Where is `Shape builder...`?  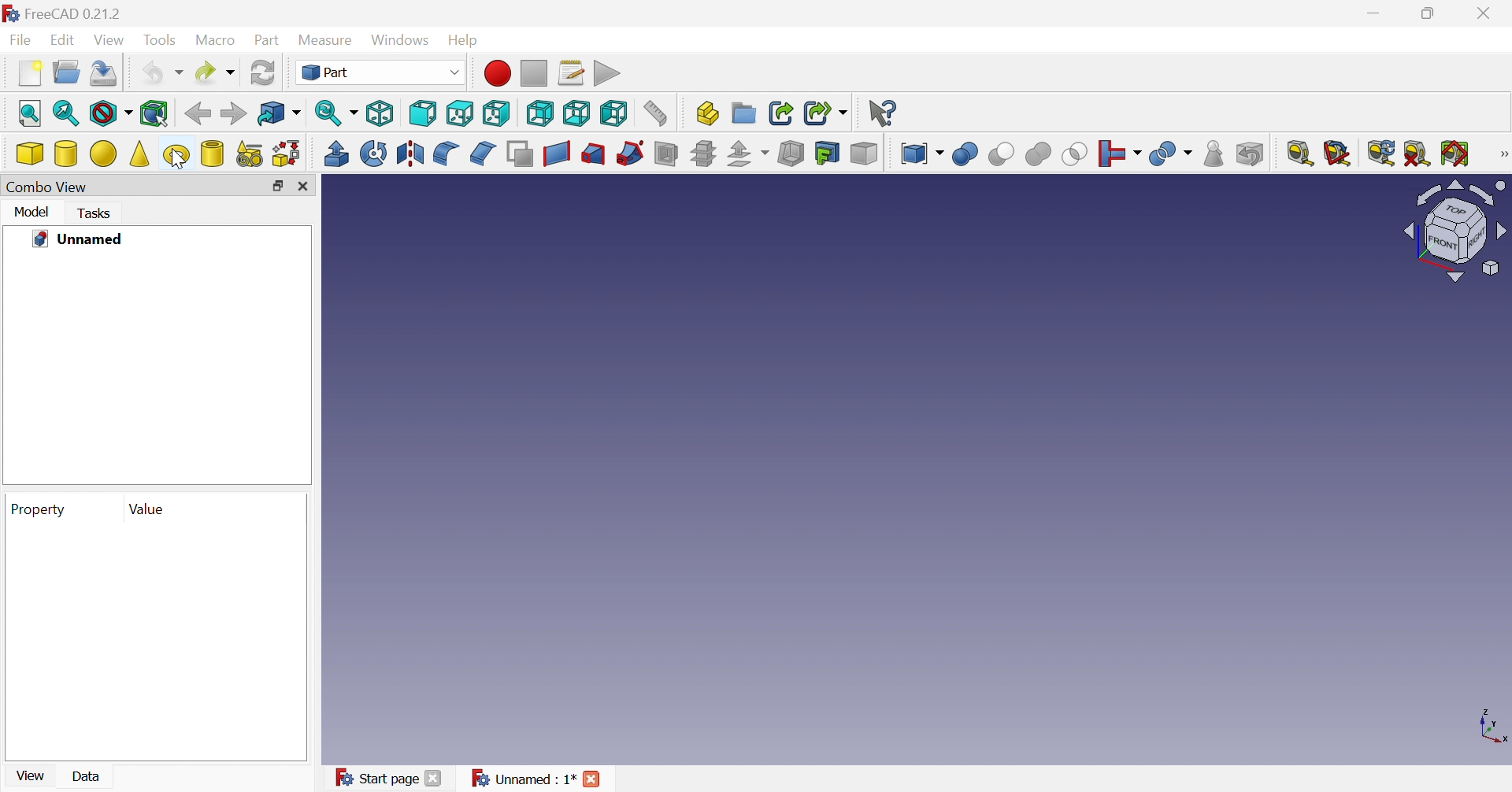
Shape builder... is located at coordinates (287, 154).